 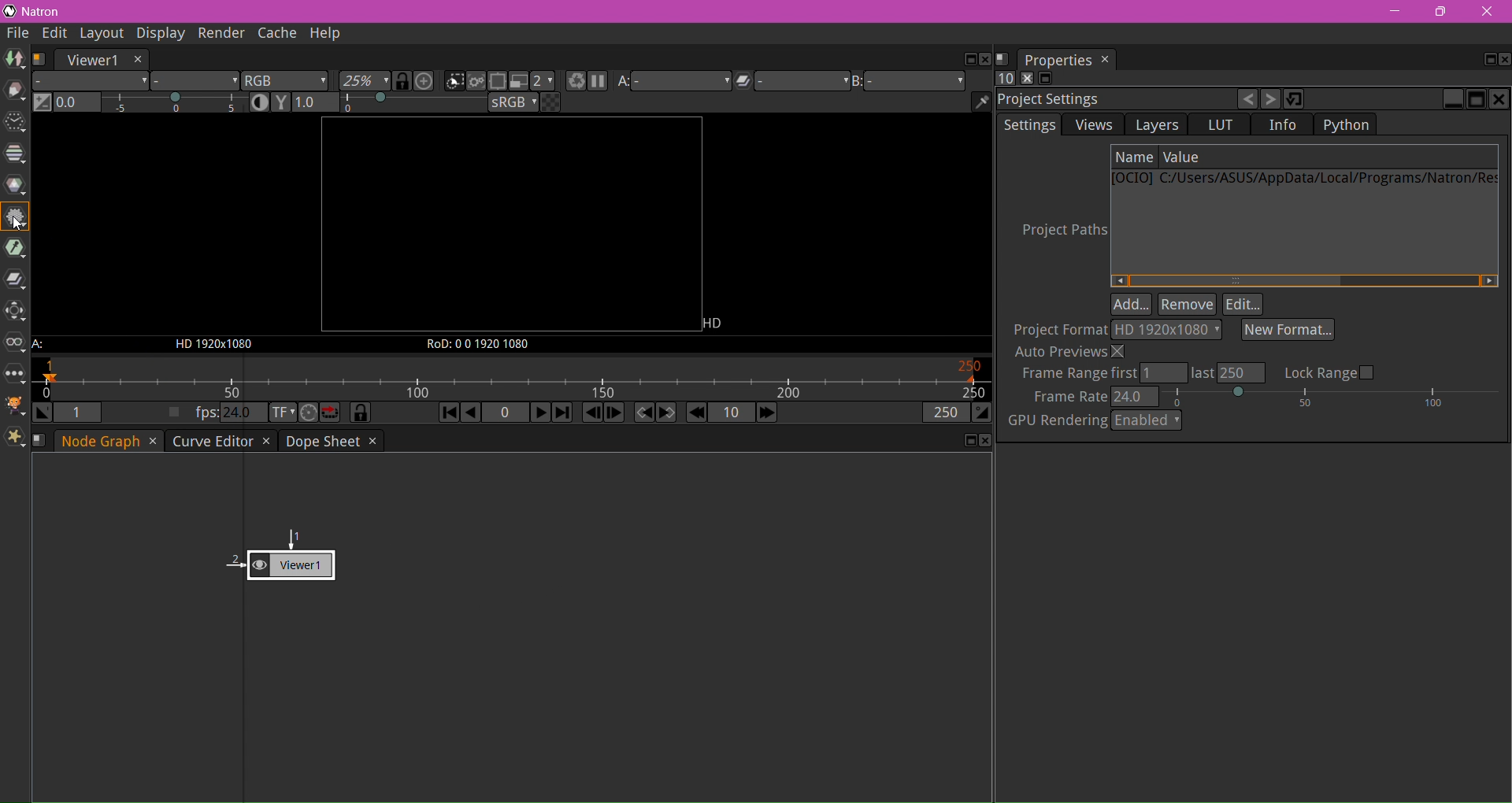 I want to click on Manage layouts for this pane, so click(x=1002, y=60).